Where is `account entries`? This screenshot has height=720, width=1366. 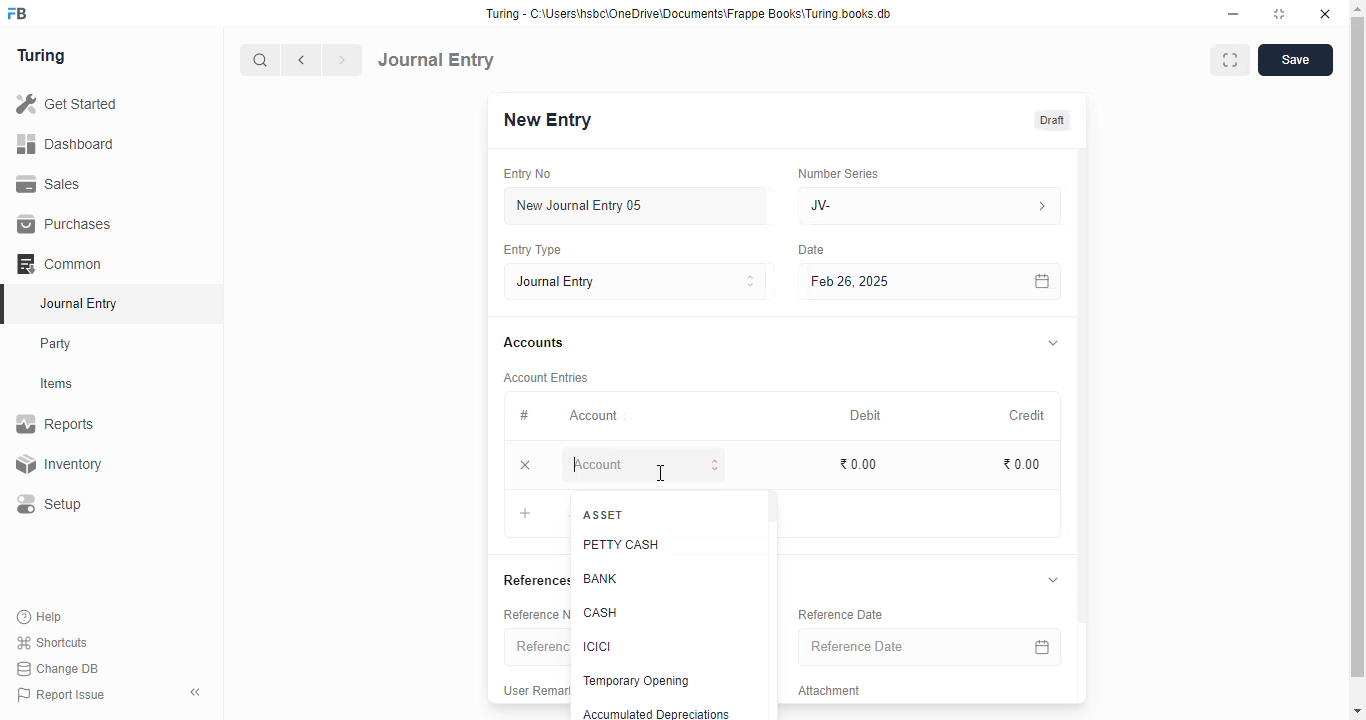
account entries is located at coordinates (546, 377).